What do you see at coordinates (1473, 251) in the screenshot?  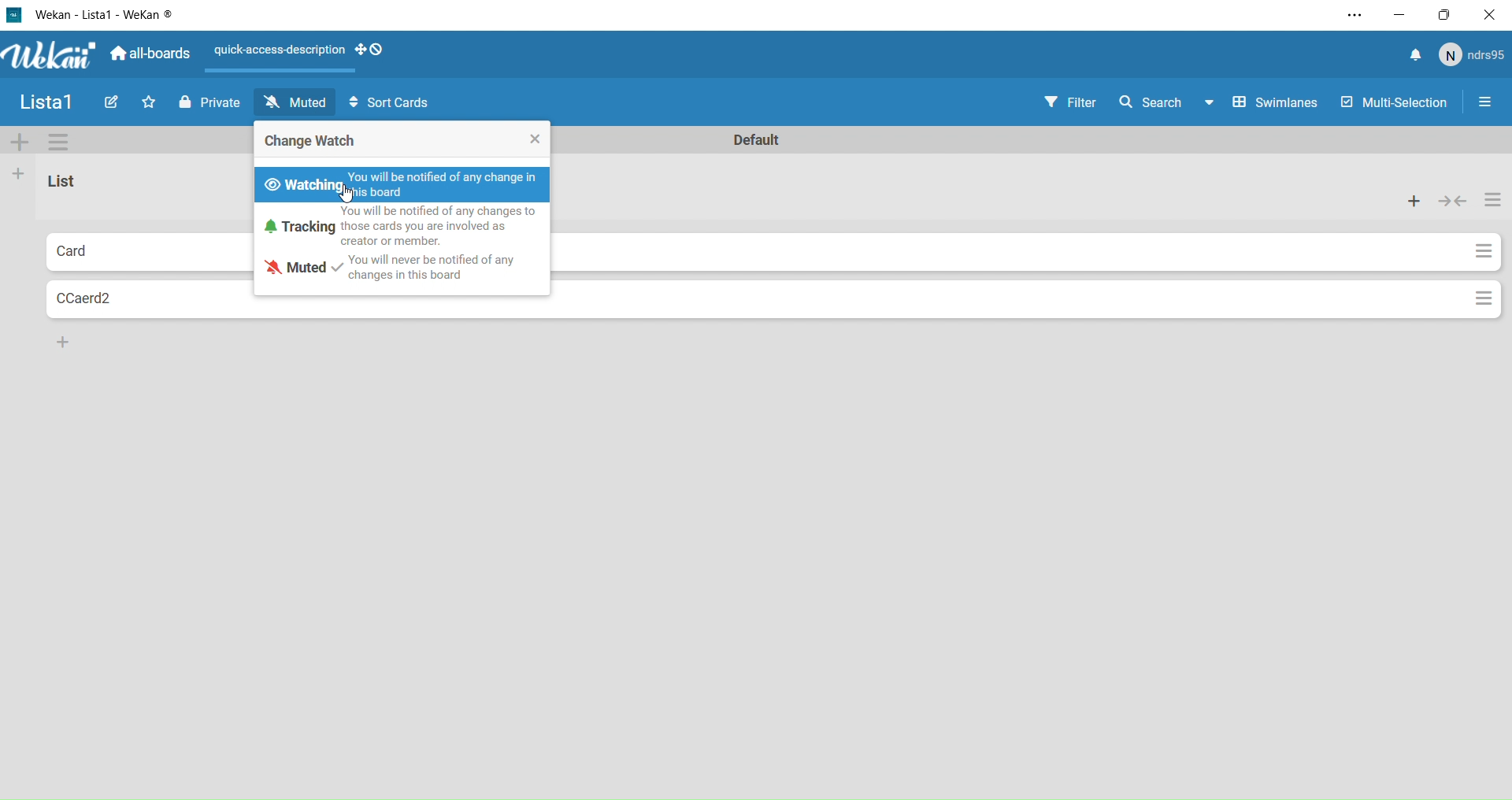 I see `Options` at bounding box center [1473, 251].